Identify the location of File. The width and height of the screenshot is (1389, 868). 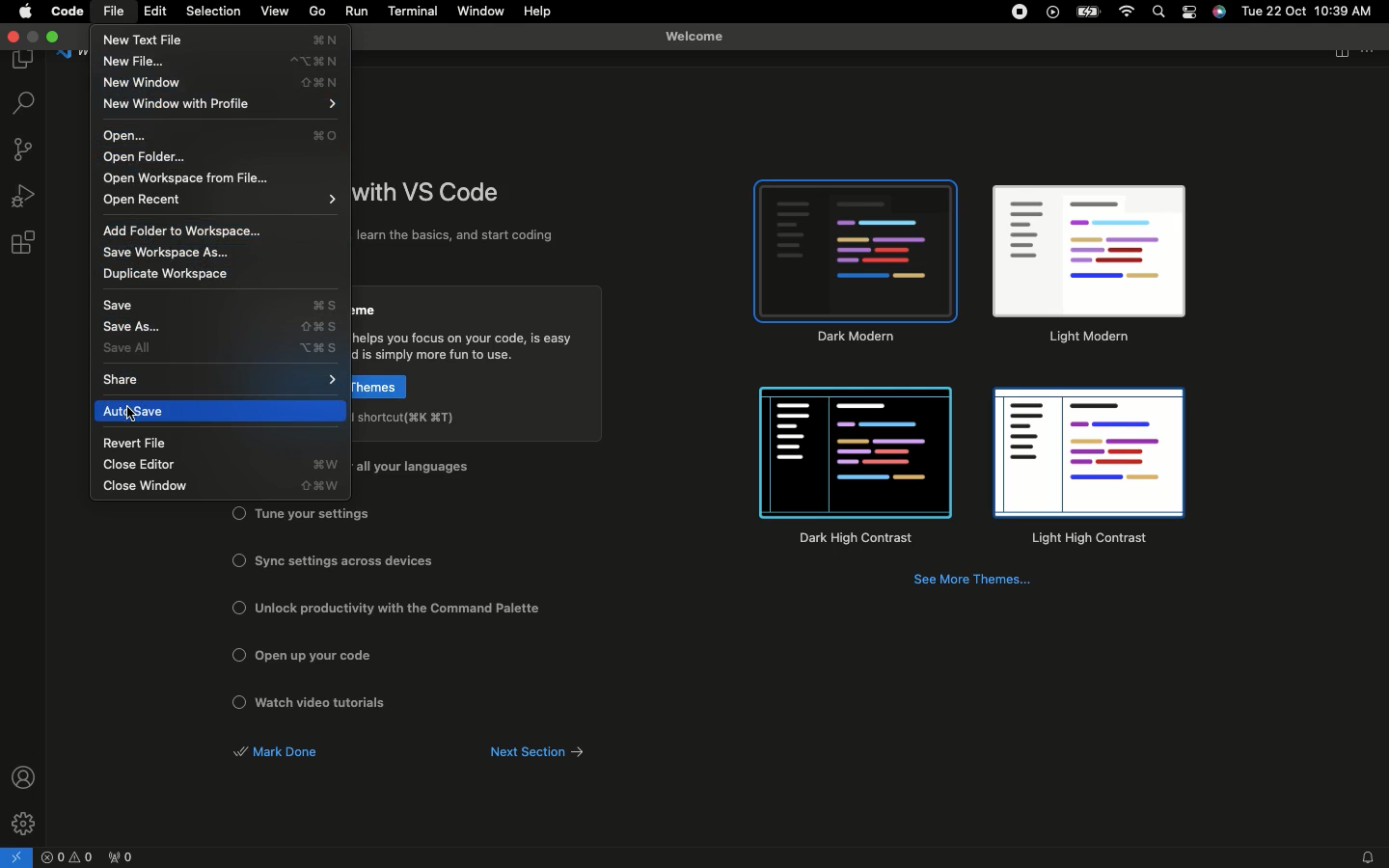
(116, 12).